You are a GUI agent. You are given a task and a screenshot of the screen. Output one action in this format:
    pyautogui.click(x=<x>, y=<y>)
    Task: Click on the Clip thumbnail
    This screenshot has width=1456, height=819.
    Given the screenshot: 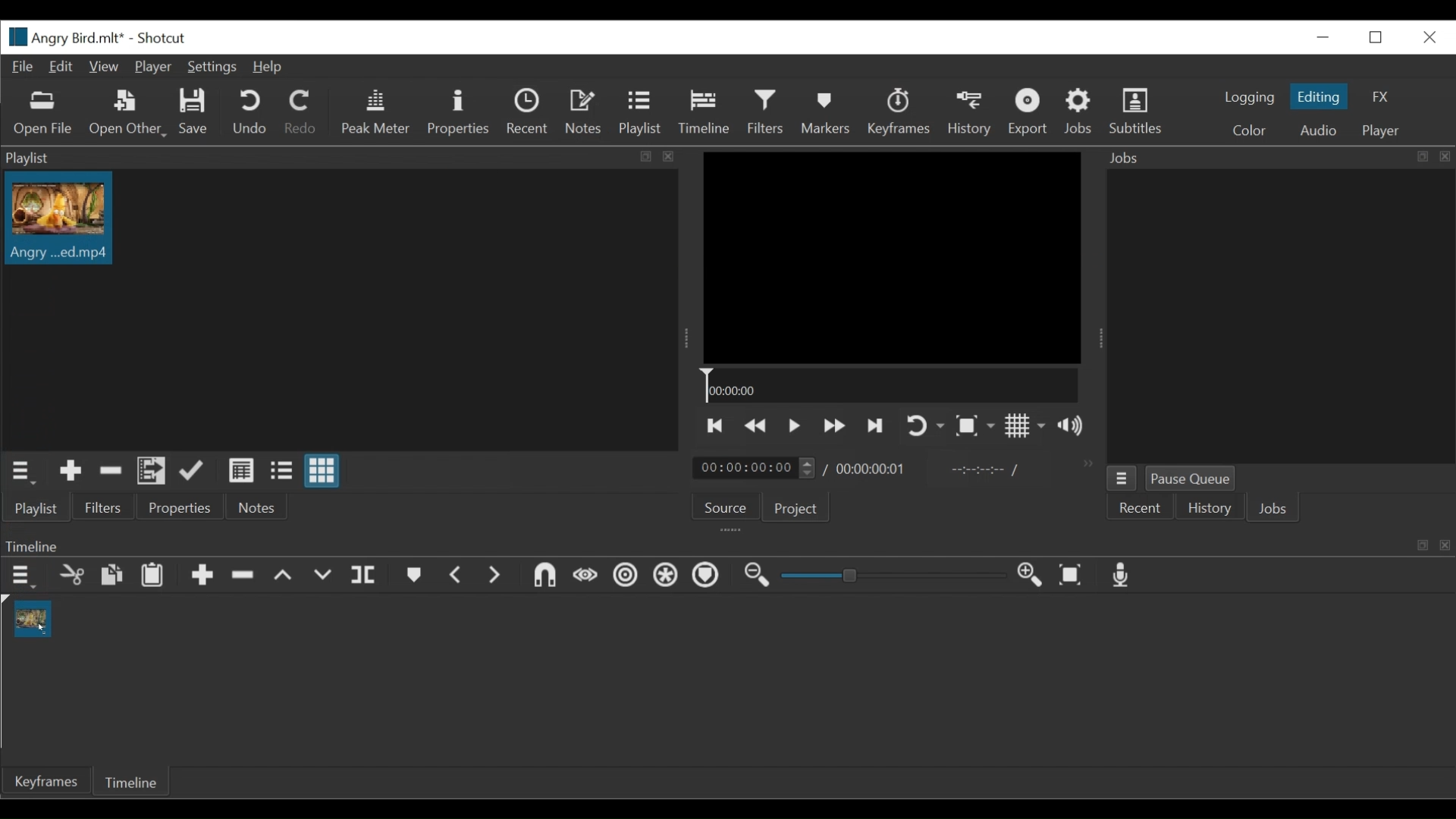 What is the action you would take?
    pyautogui.click(x=61, y=218)
    